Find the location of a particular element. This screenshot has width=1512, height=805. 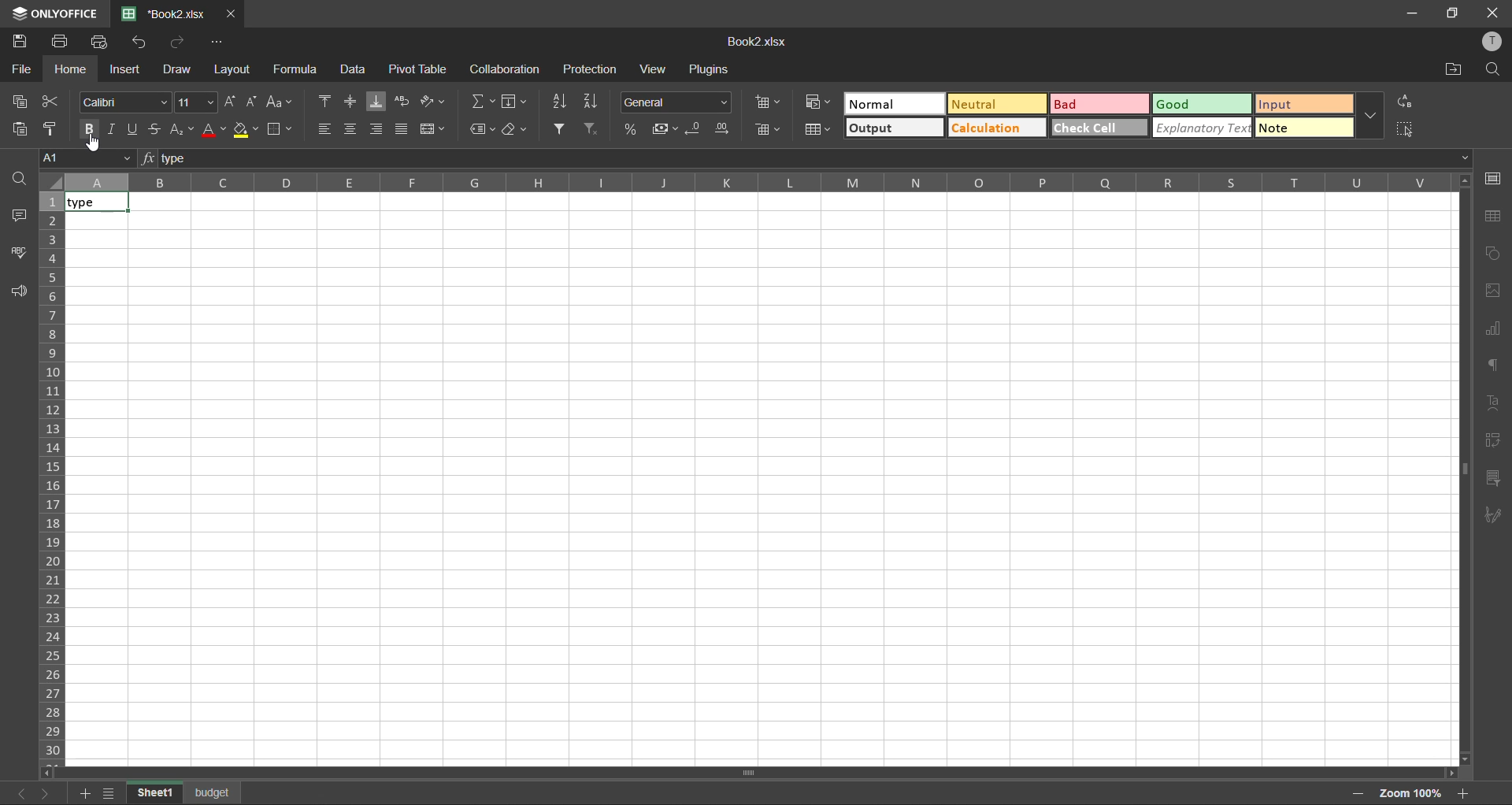

decrease decimal is located at coordinates (696, 128).